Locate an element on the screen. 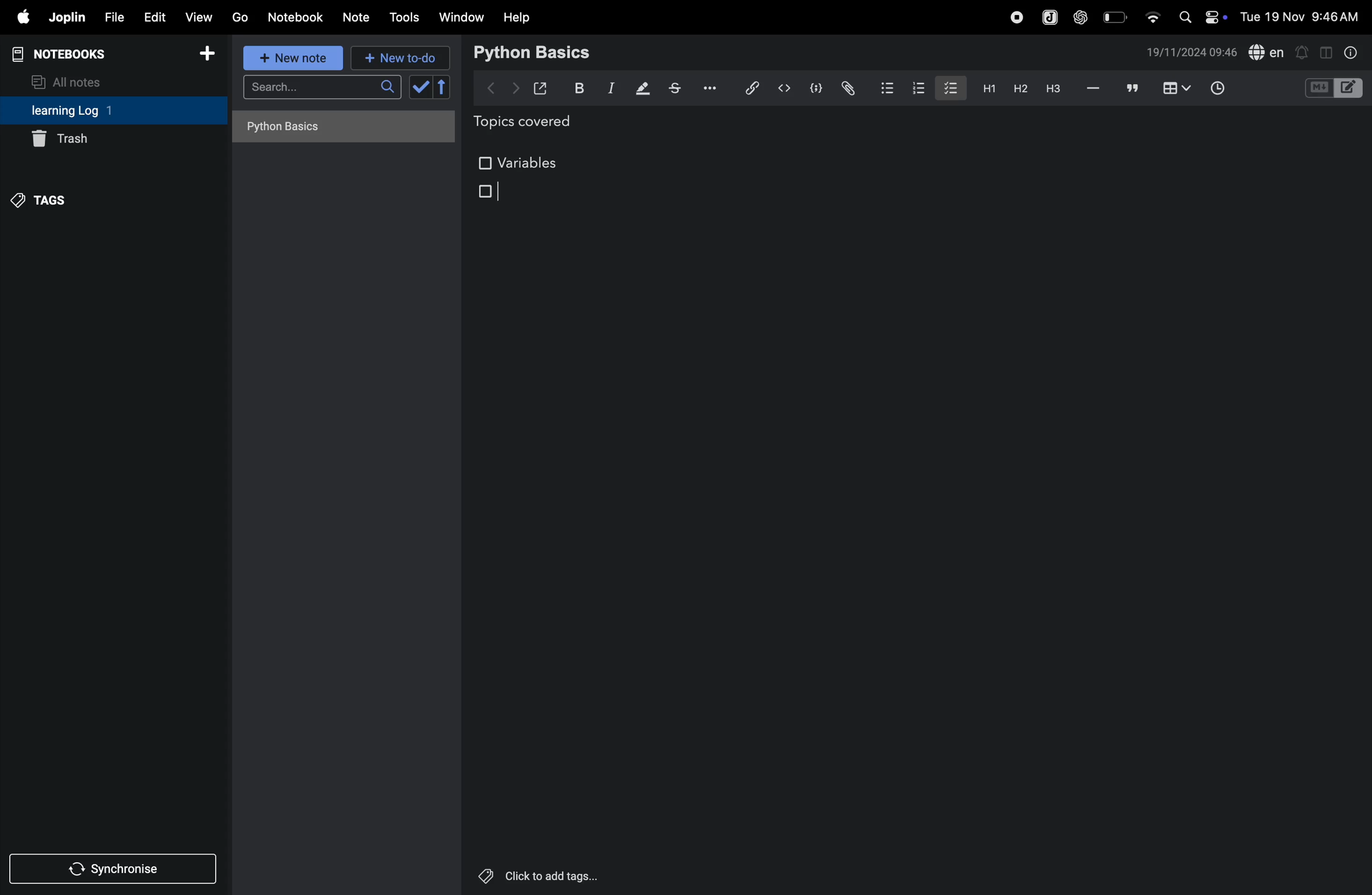  python basic is located at coordinates (534, 51).